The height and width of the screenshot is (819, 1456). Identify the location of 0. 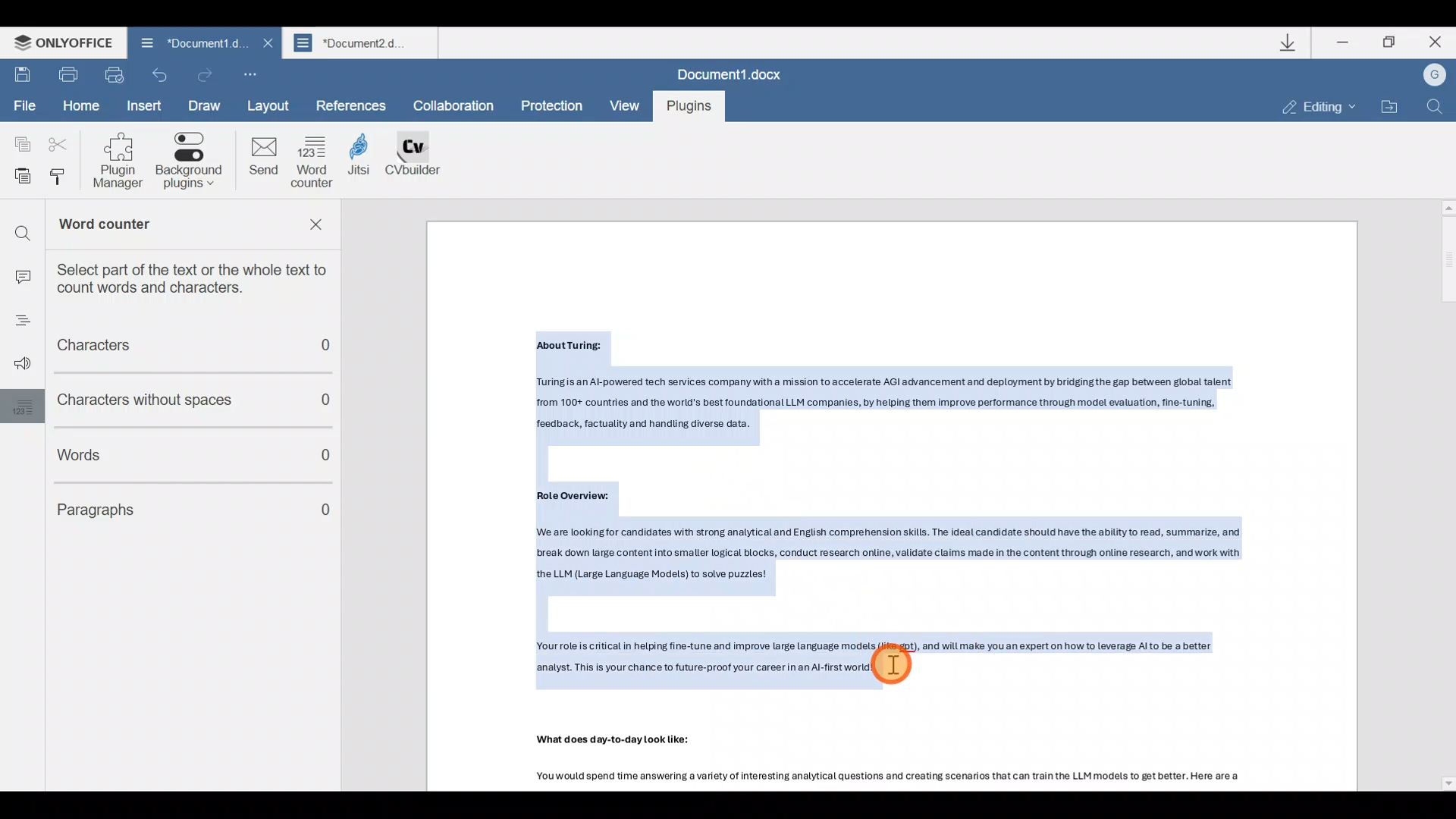
(335, 350).